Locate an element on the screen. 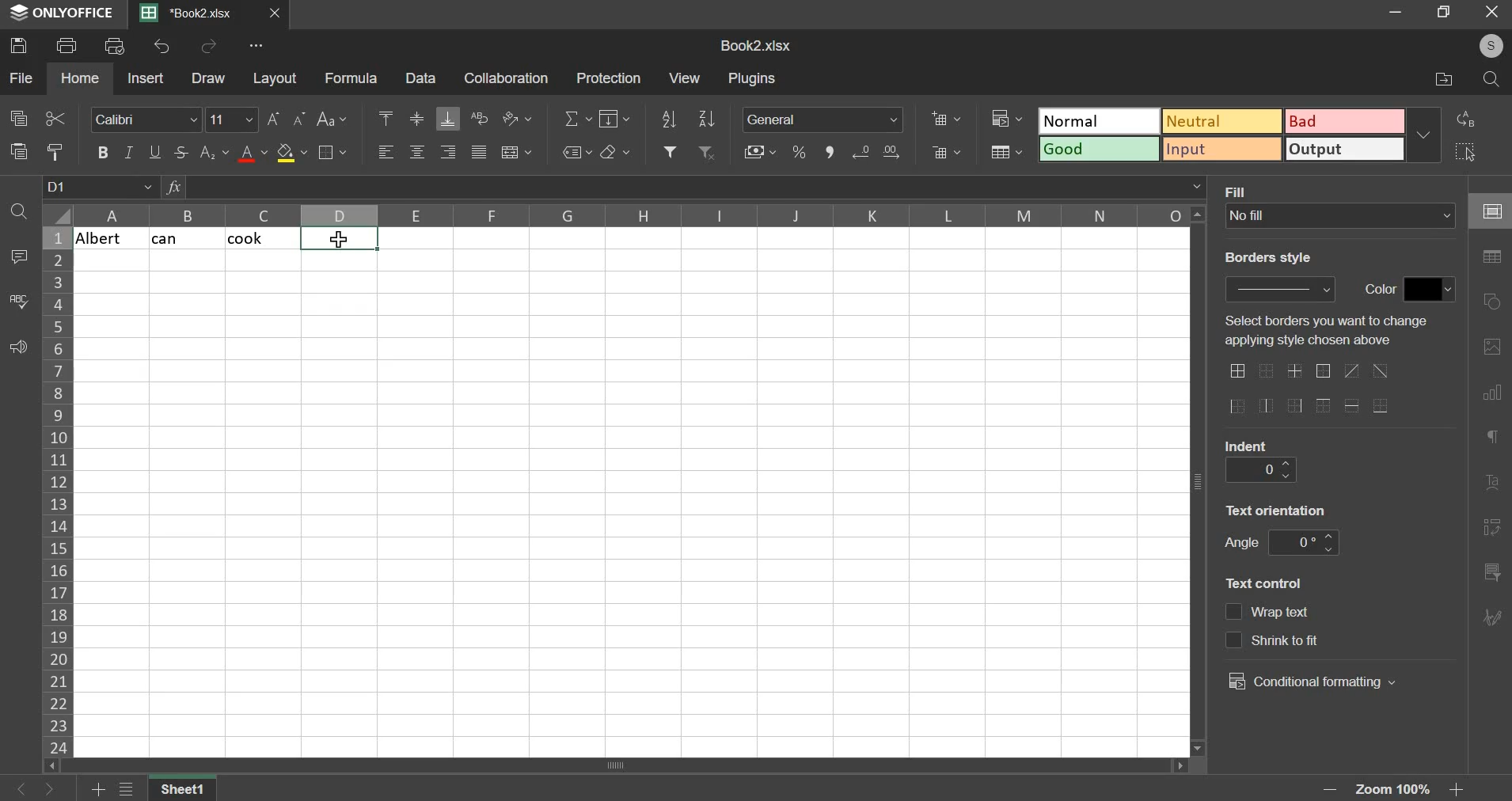 The height and width of the screenshot is (801, 1512). Current sheets is located at coordinates (194, 13).